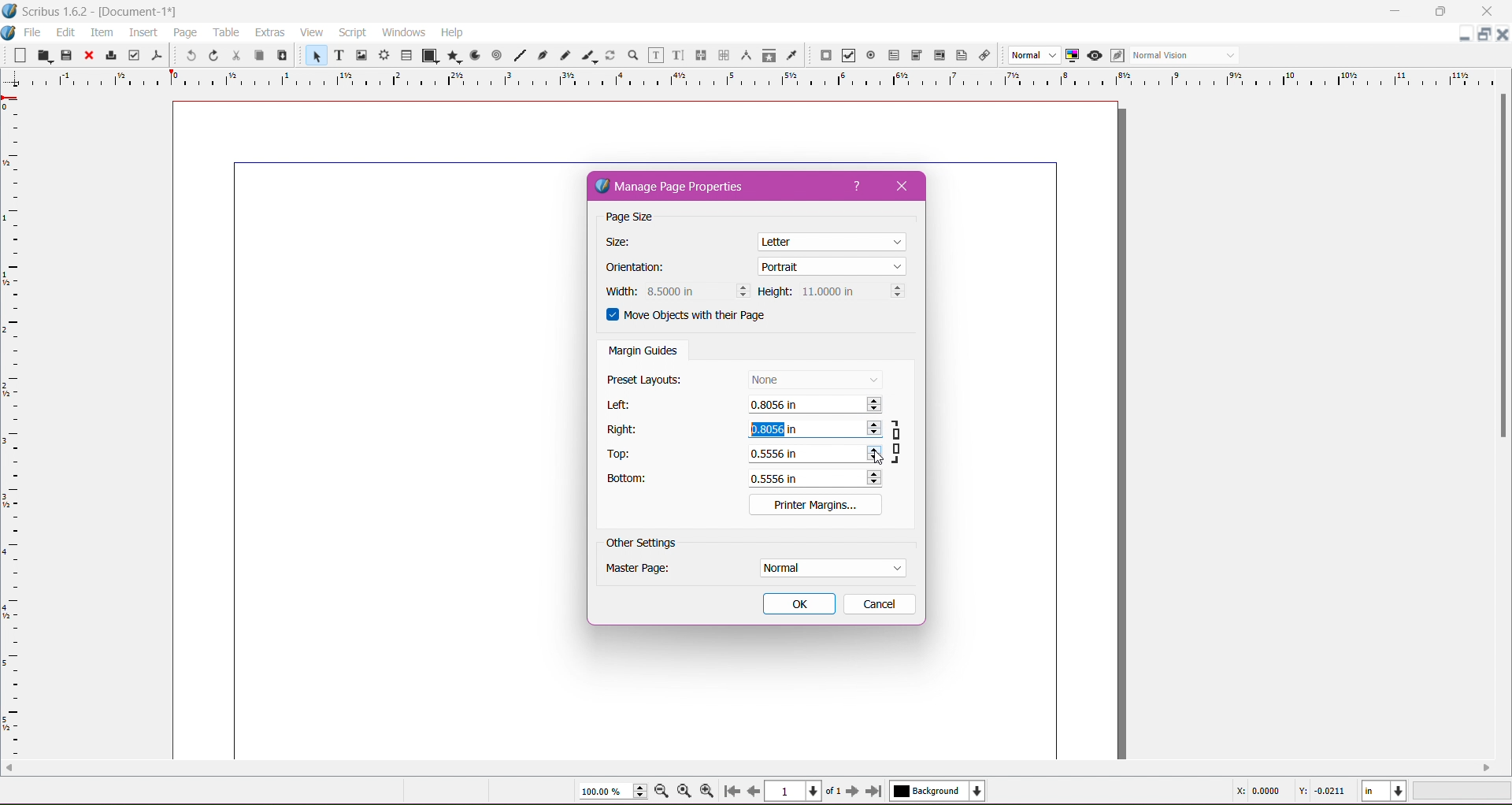  Describe the element at coordinates (804, 791) in the screenshot. I see `Select the current page` at that location.